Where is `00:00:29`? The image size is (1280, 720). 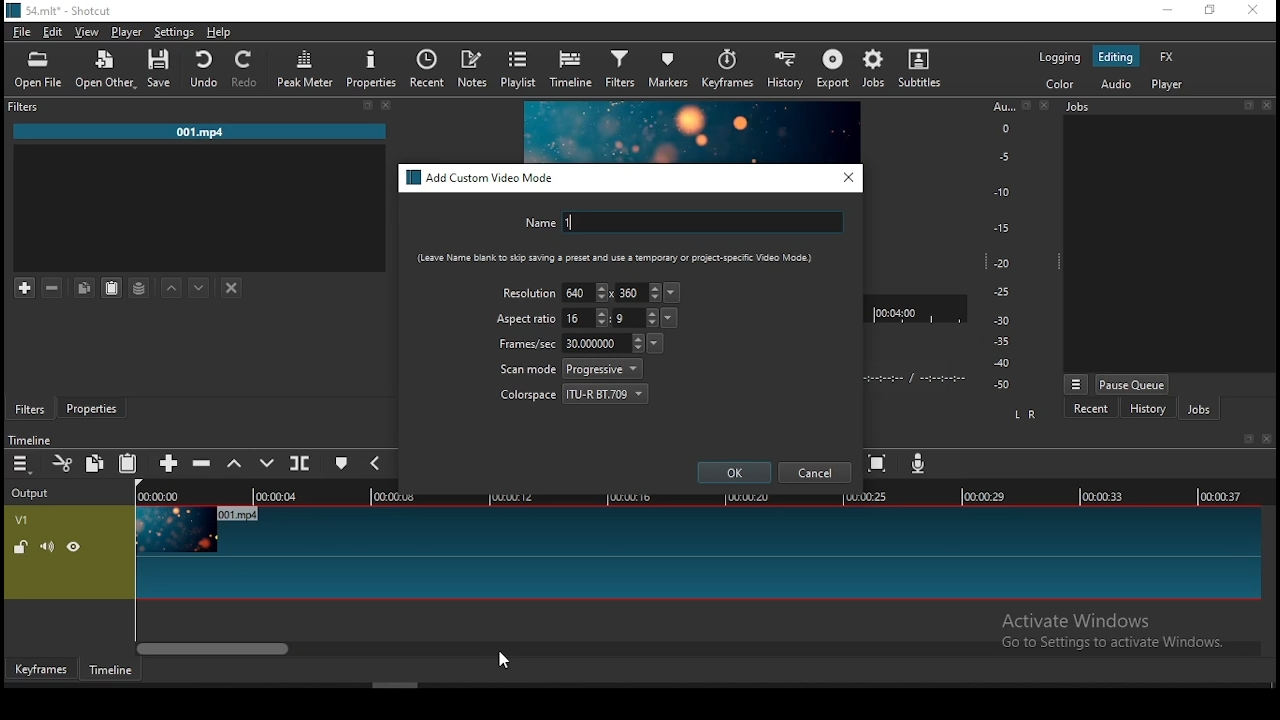
00:00:29 is located at coordinates (987, 496).